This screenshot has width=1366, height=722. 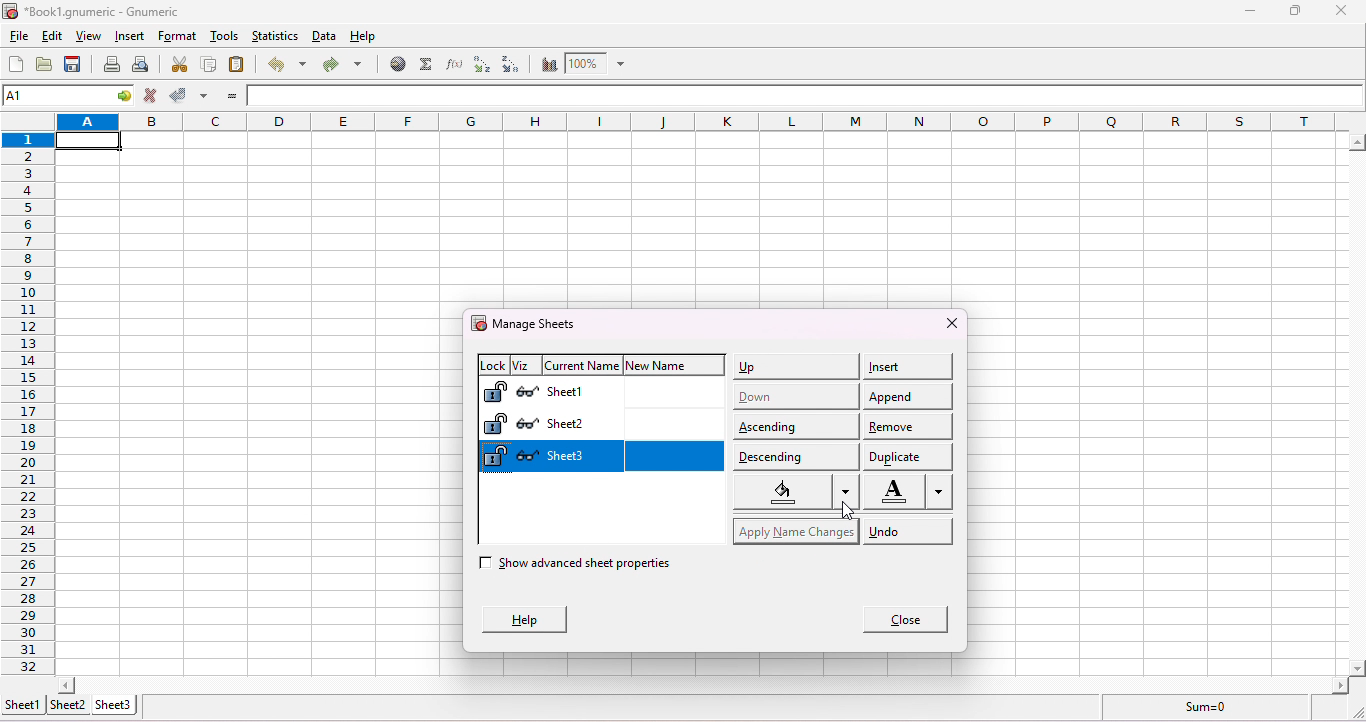 I want to click on print, so click(x=112, y=66).